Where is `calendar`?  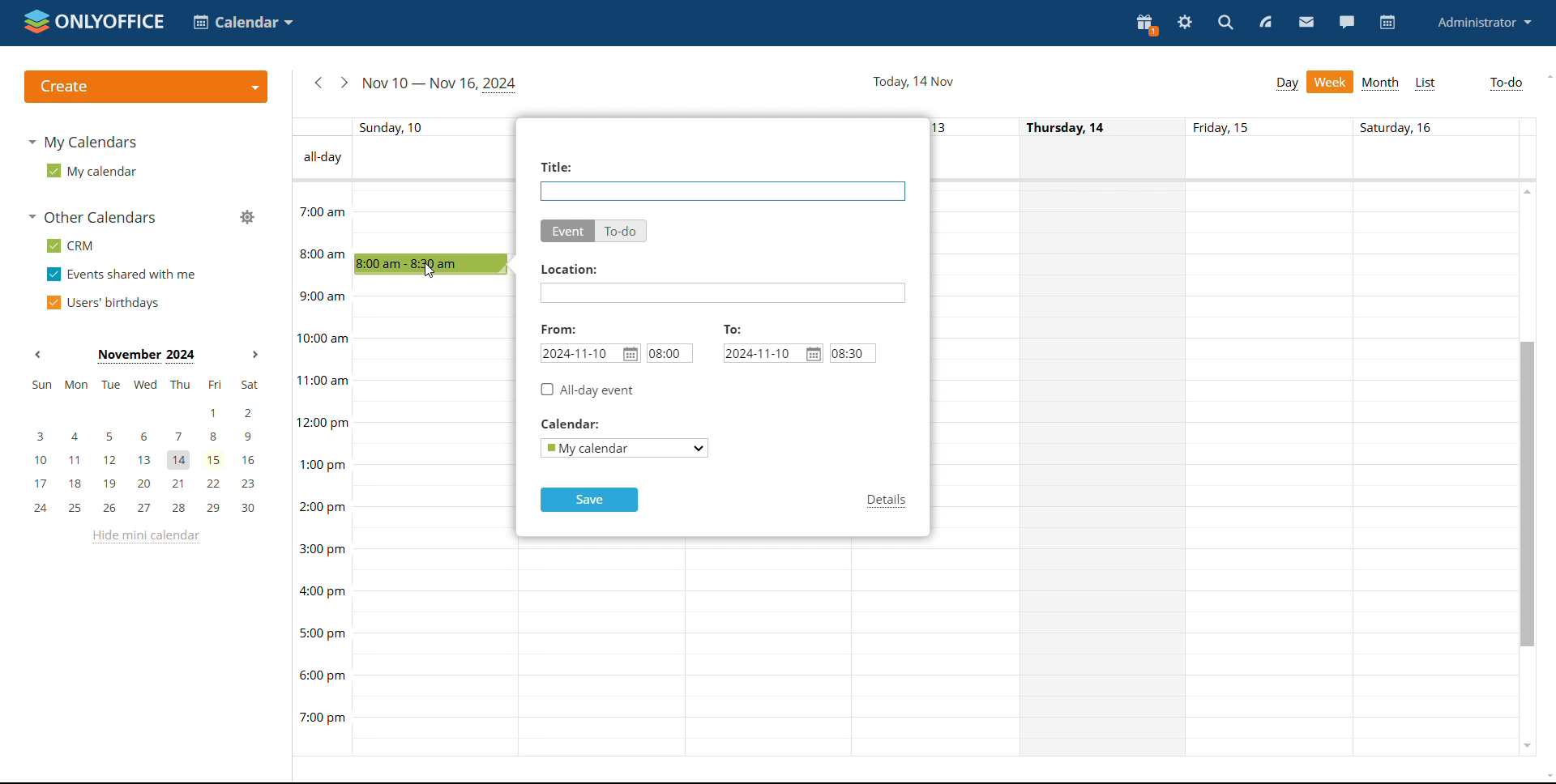 calendar is located at coordinates (1387, 23).